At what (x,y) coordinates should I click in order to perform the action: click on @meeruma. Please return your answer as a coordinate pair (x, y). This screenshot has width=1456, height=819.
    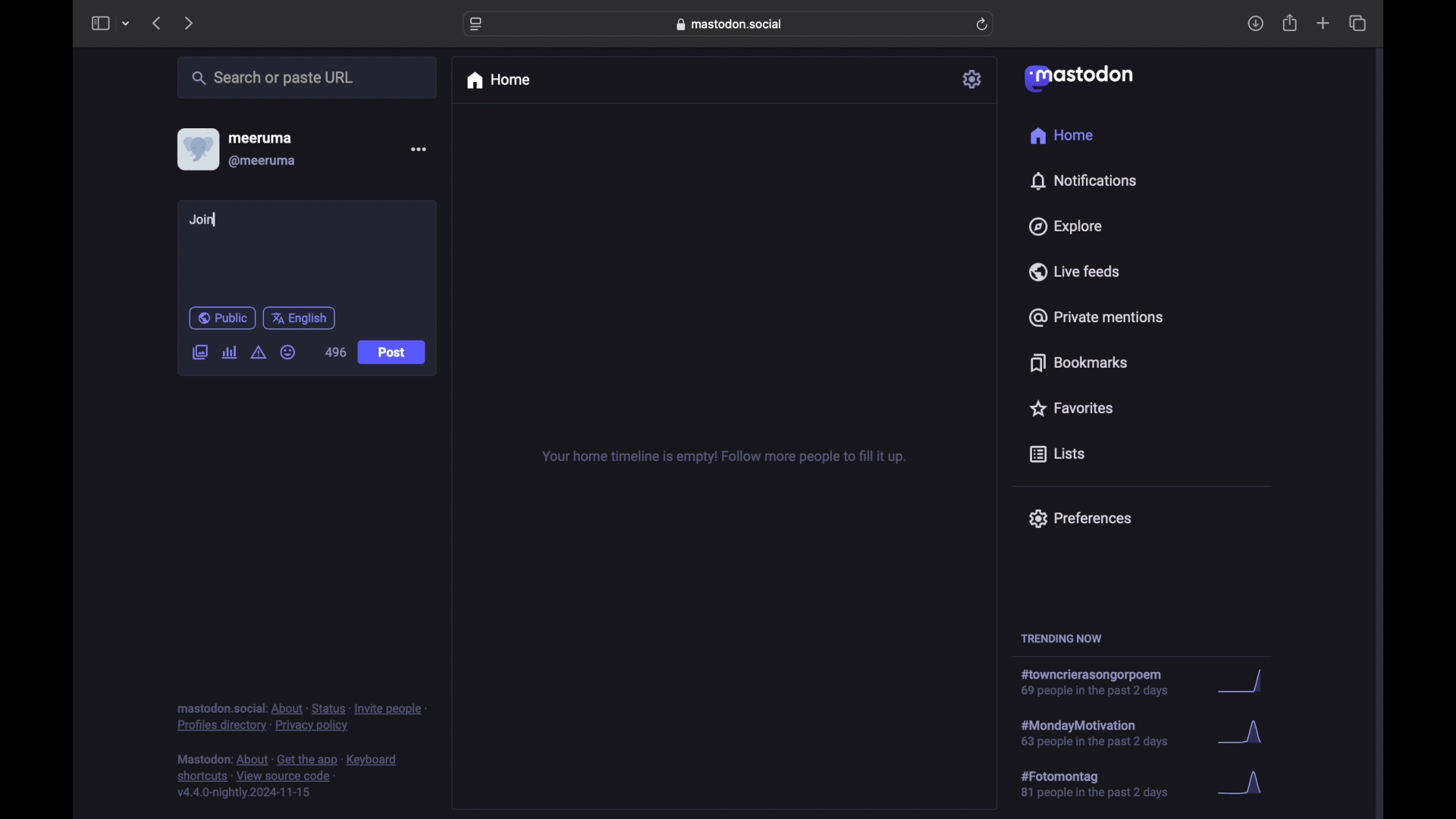
    Looking at the image, I should click on (262, 162).